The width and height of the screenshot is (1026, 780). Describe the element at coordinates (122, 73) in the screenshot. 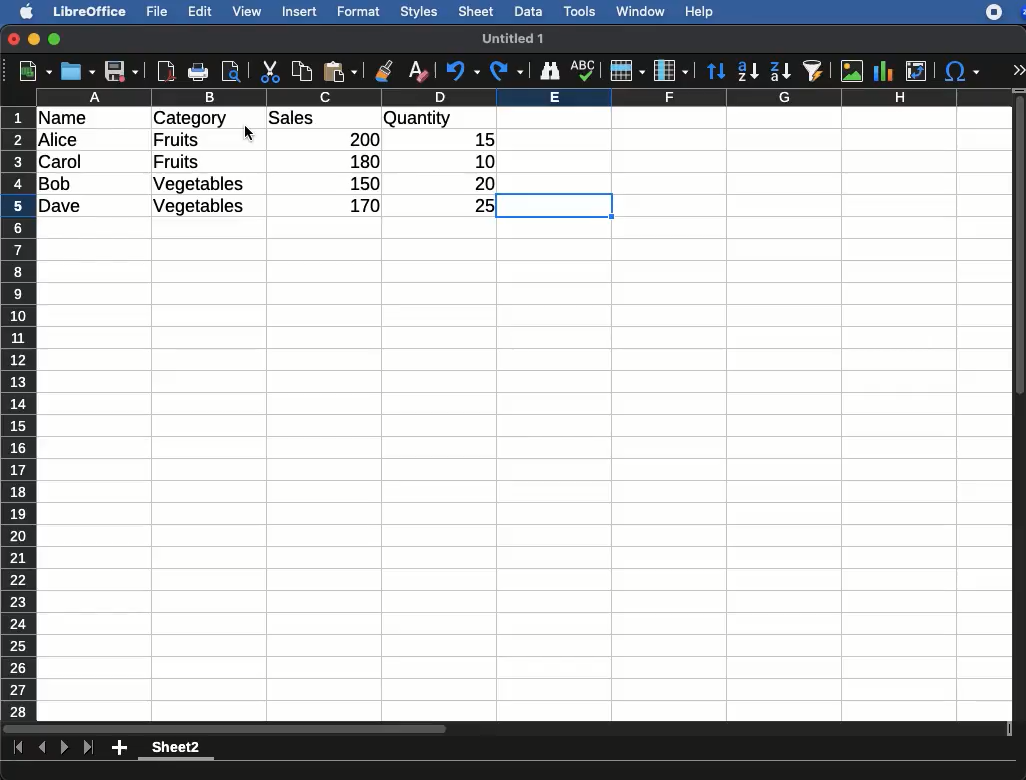

I see `save` at that location.